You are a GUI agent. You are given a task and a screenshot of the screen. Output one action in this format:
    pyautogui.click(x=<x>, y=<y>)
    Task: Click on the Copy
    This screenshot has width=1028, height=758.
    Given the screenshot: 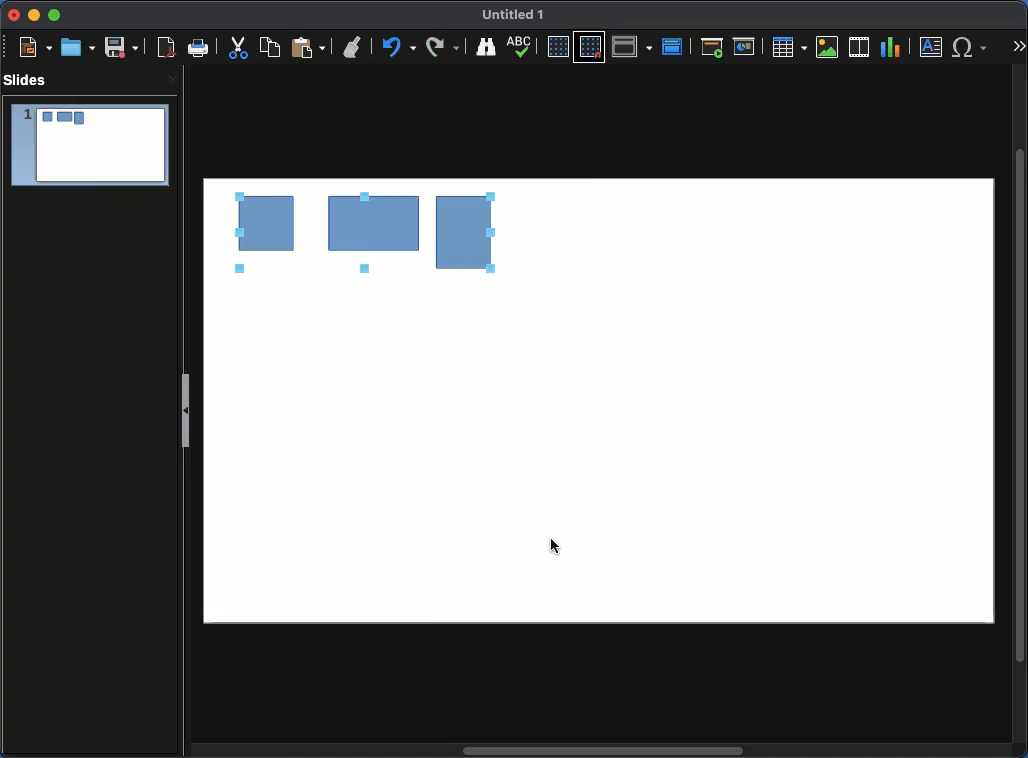 What is the action you would take?
    pyautogui.click(x=273, y=47)
    